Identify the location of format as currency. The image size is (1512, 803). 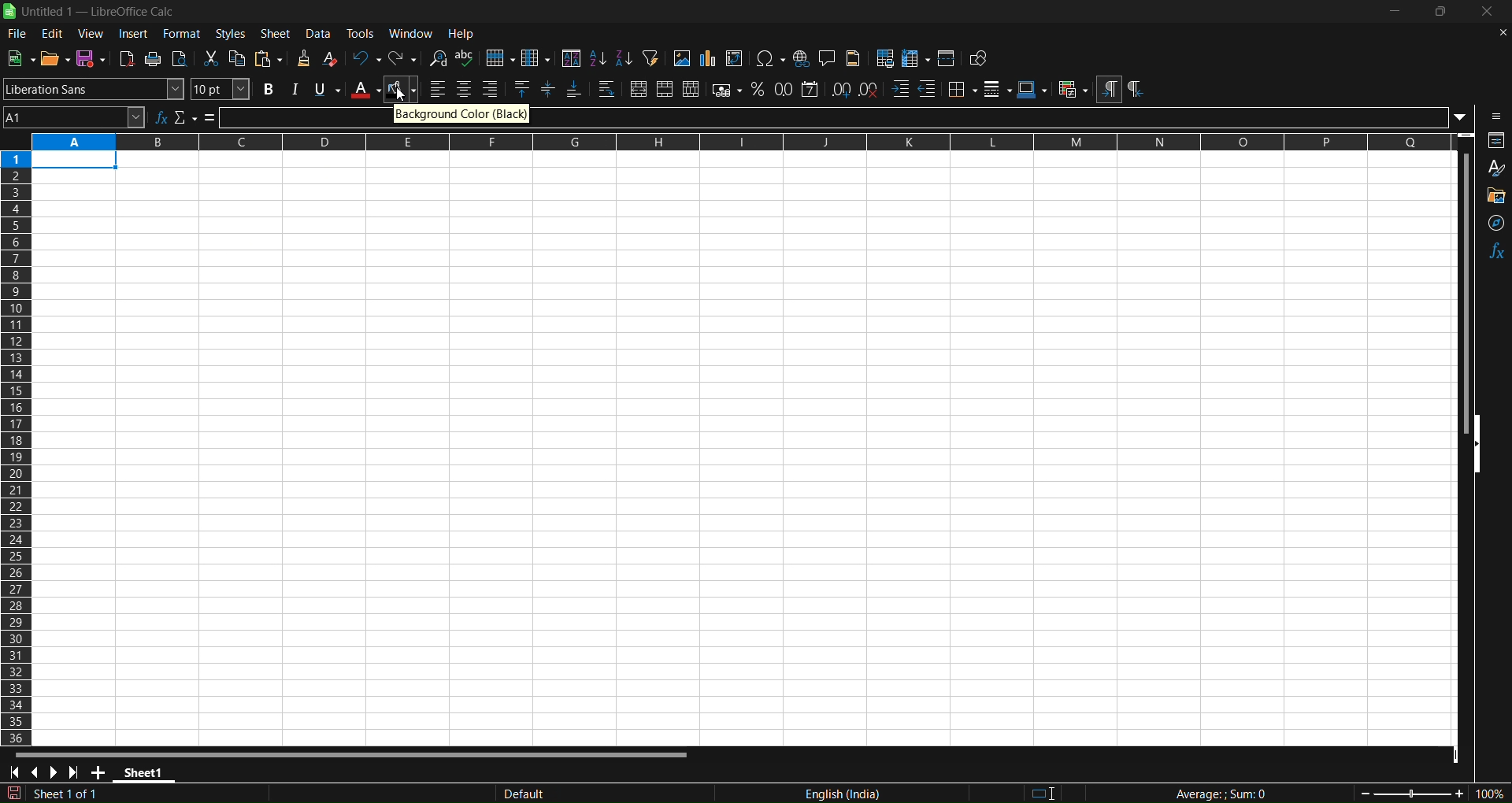
(724, 91).